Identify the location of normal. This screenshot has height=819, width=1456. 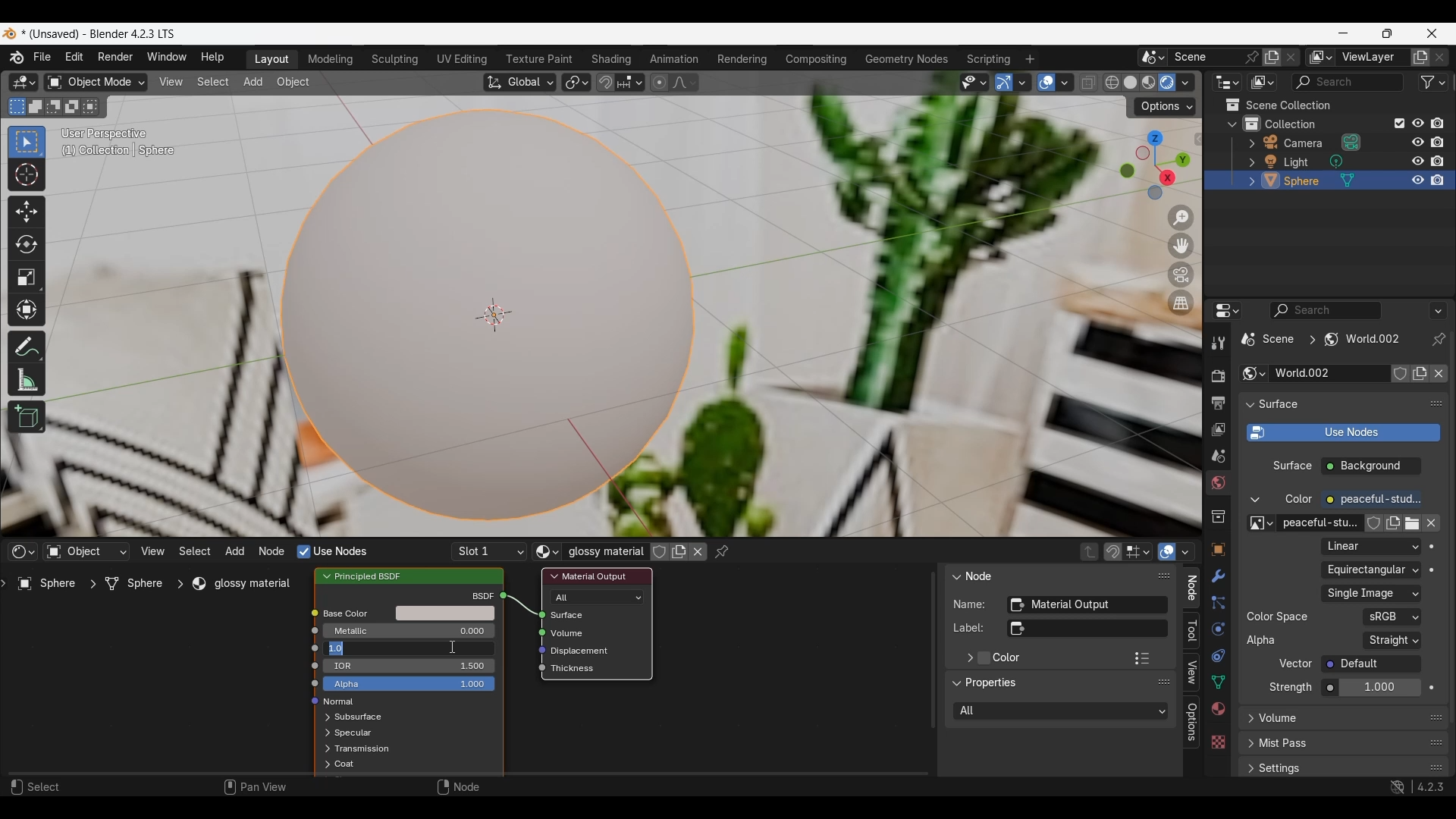
(339, 702).